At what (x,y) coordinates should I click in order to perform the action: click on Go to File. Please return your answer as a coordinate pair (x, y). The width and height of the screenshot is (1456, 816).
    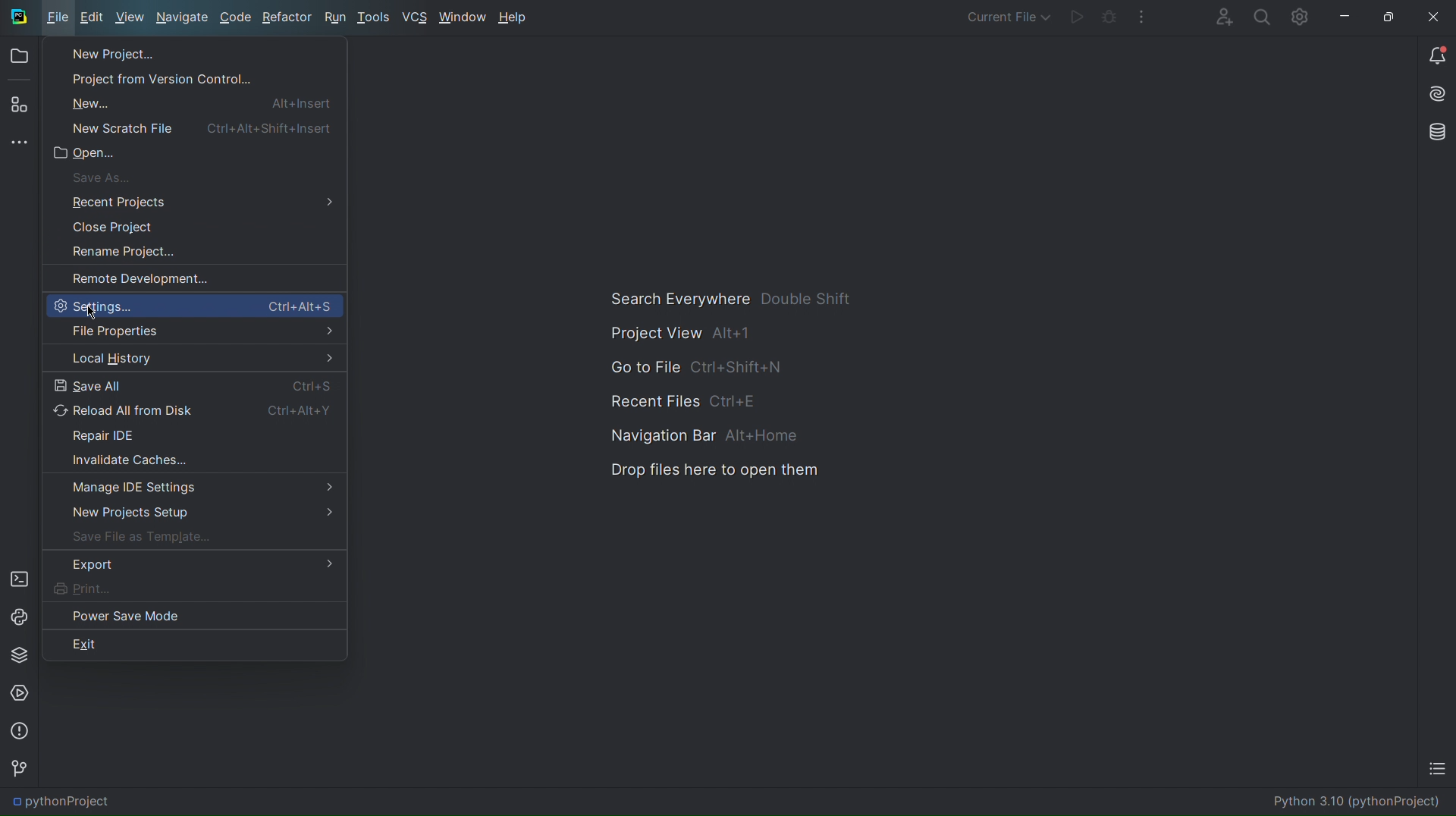
    Looking at the image, I should click on (698, 368).